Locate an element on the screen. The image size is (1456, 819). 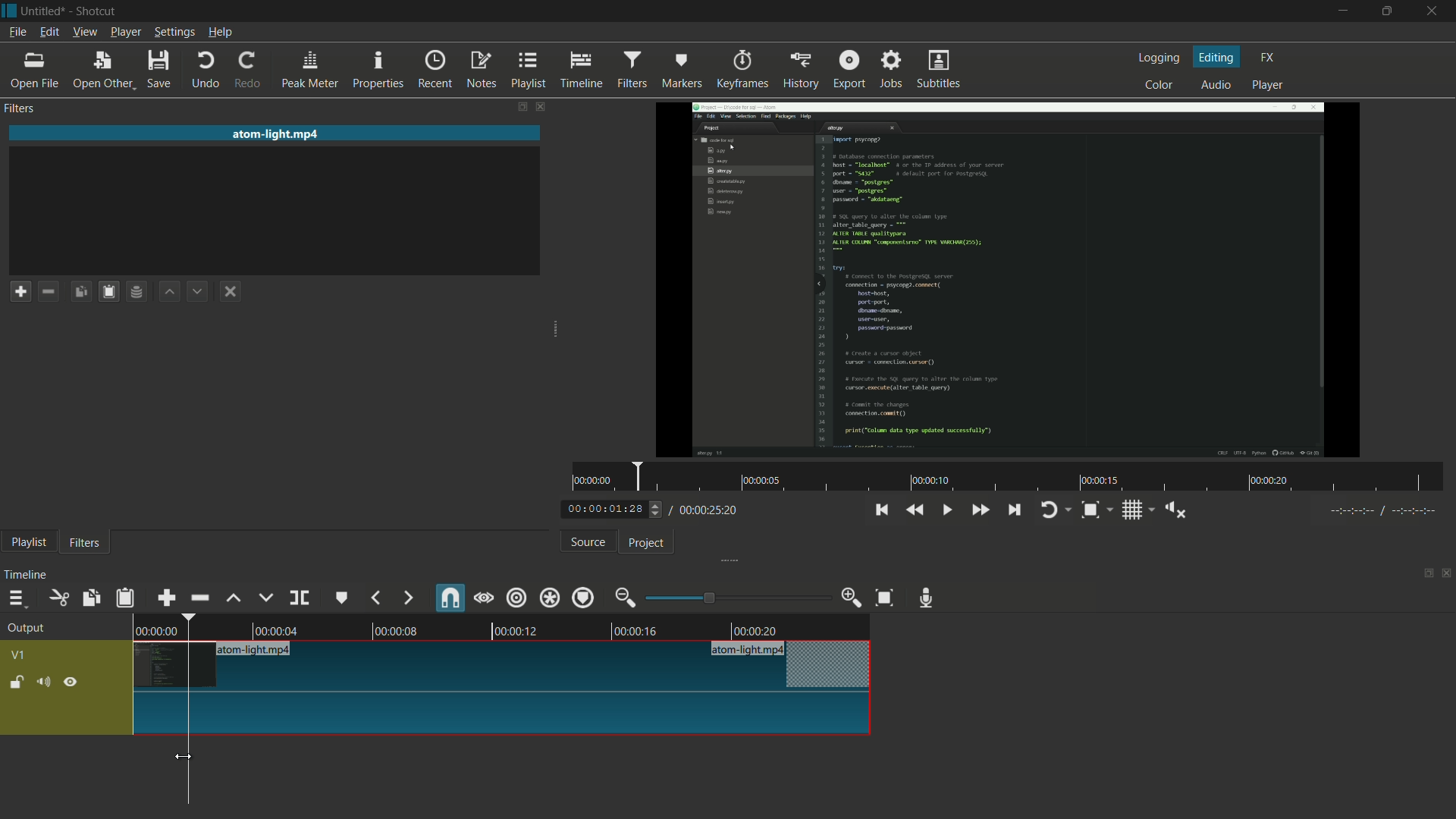
current time is located at coordinates (610, 510).